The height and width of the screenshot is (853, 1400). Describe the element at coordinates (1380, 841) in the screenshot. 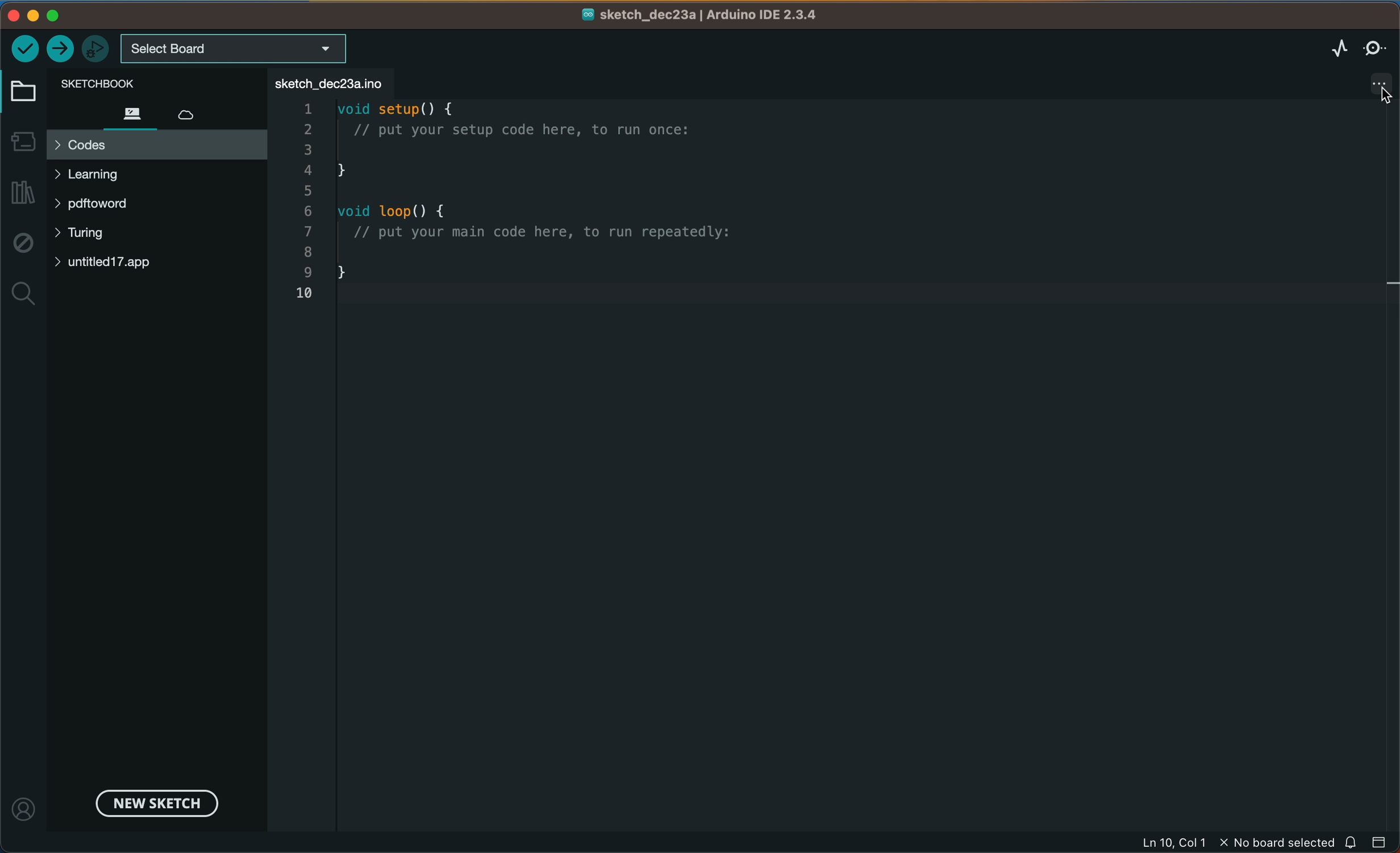

I see `close slide bar` at that location.